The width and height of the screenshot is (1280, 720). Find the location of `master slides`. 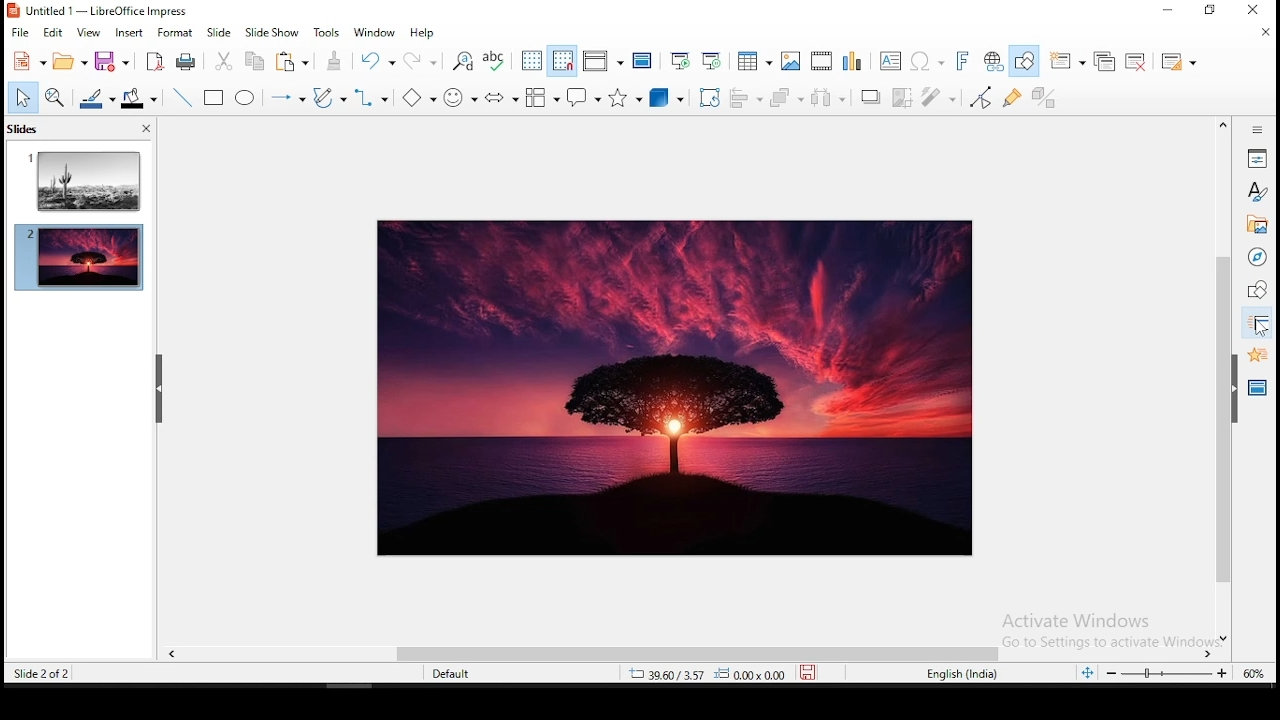

master slides is located at coordinates (1257, 387).